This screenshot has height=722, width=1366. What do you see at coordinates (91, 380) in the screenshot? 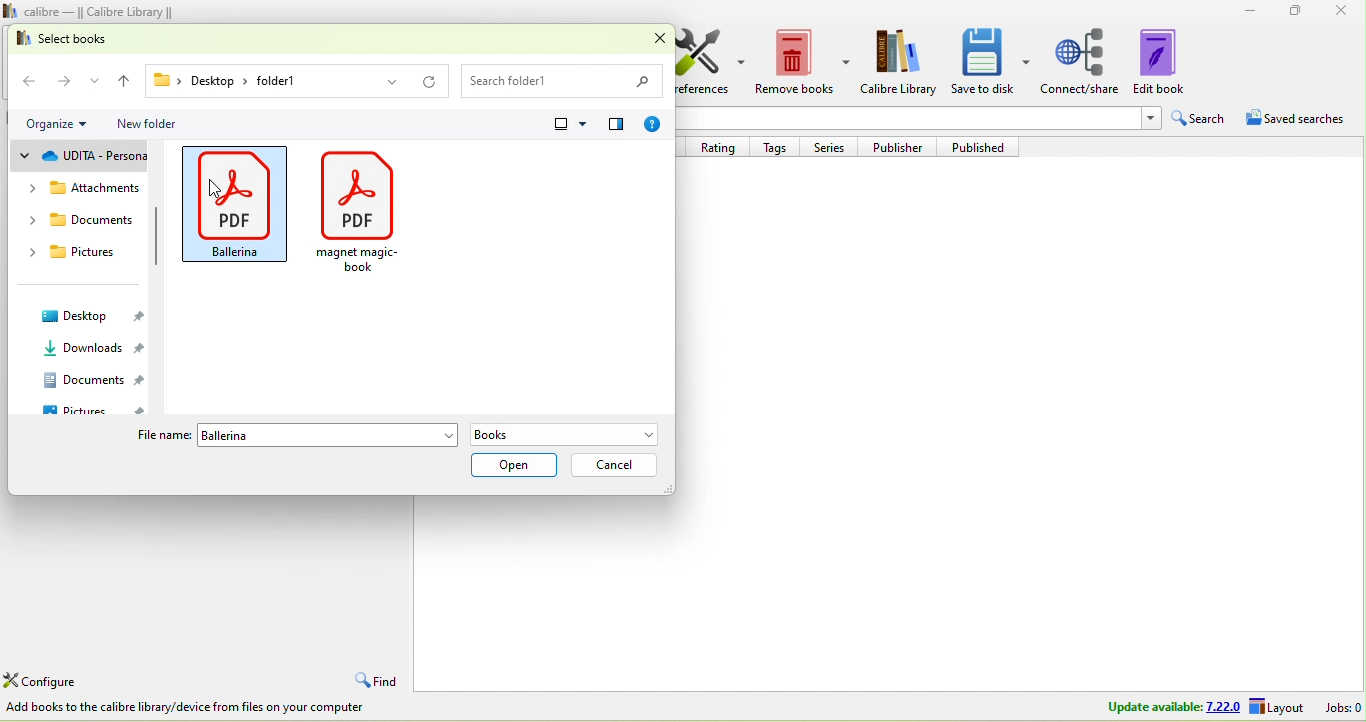
I see `documents` at bounding box center [91, 380].